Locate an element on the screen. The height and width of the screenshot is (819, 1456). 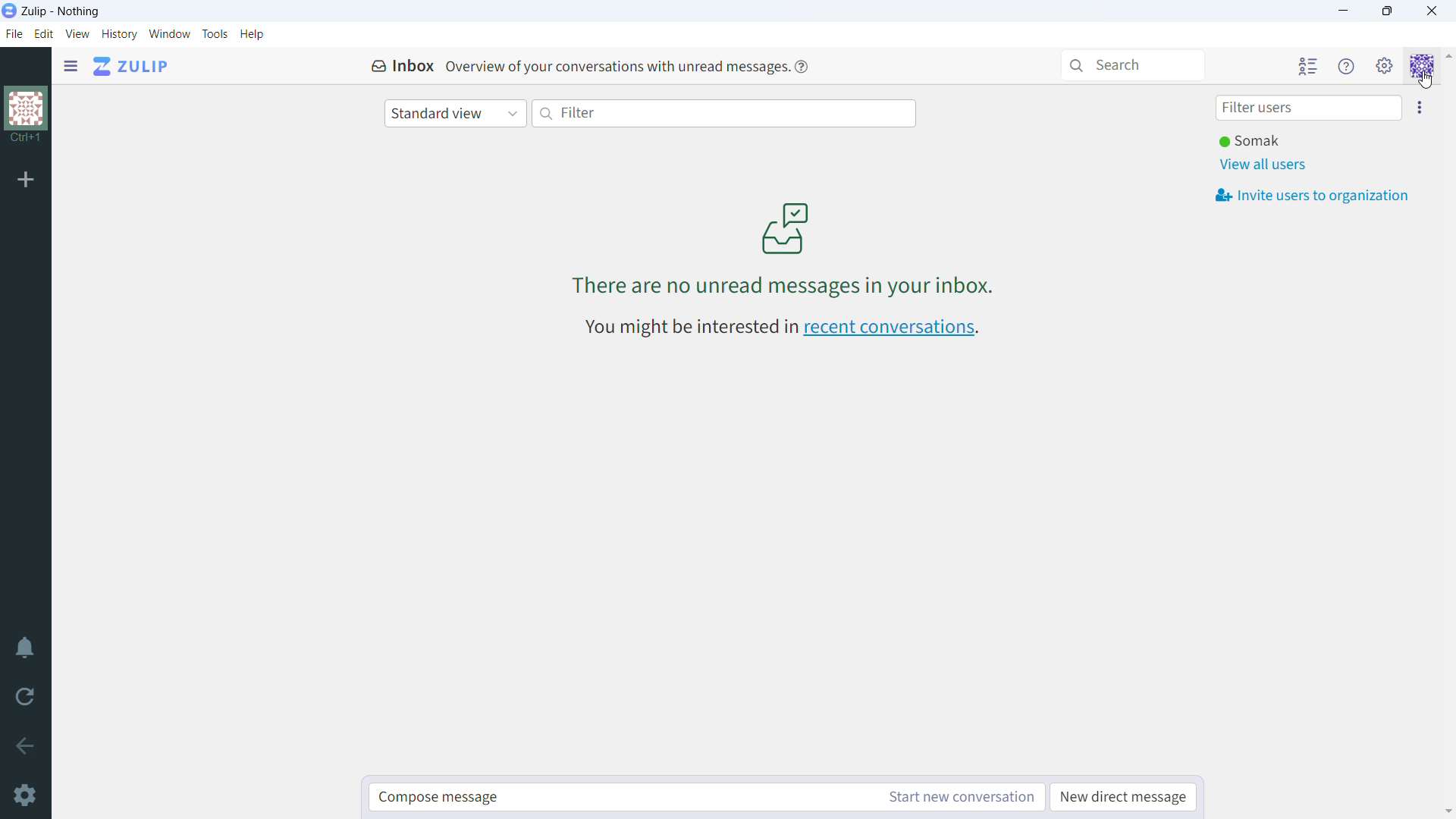
start new conversation is located at coordinates (958, 797).